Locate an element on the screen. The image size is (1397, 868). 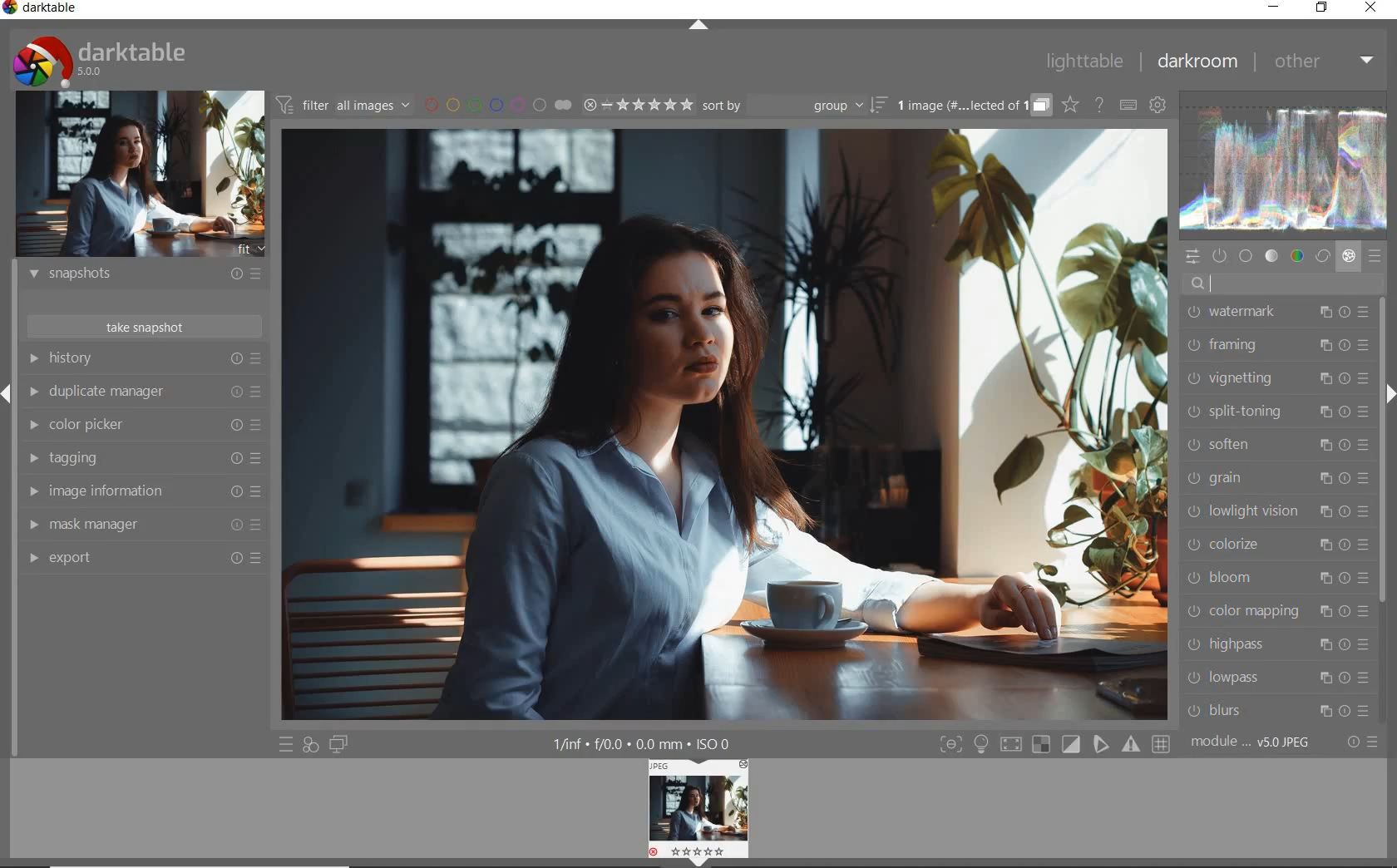
range ratings for selected images is located at coordinates (637, 106).